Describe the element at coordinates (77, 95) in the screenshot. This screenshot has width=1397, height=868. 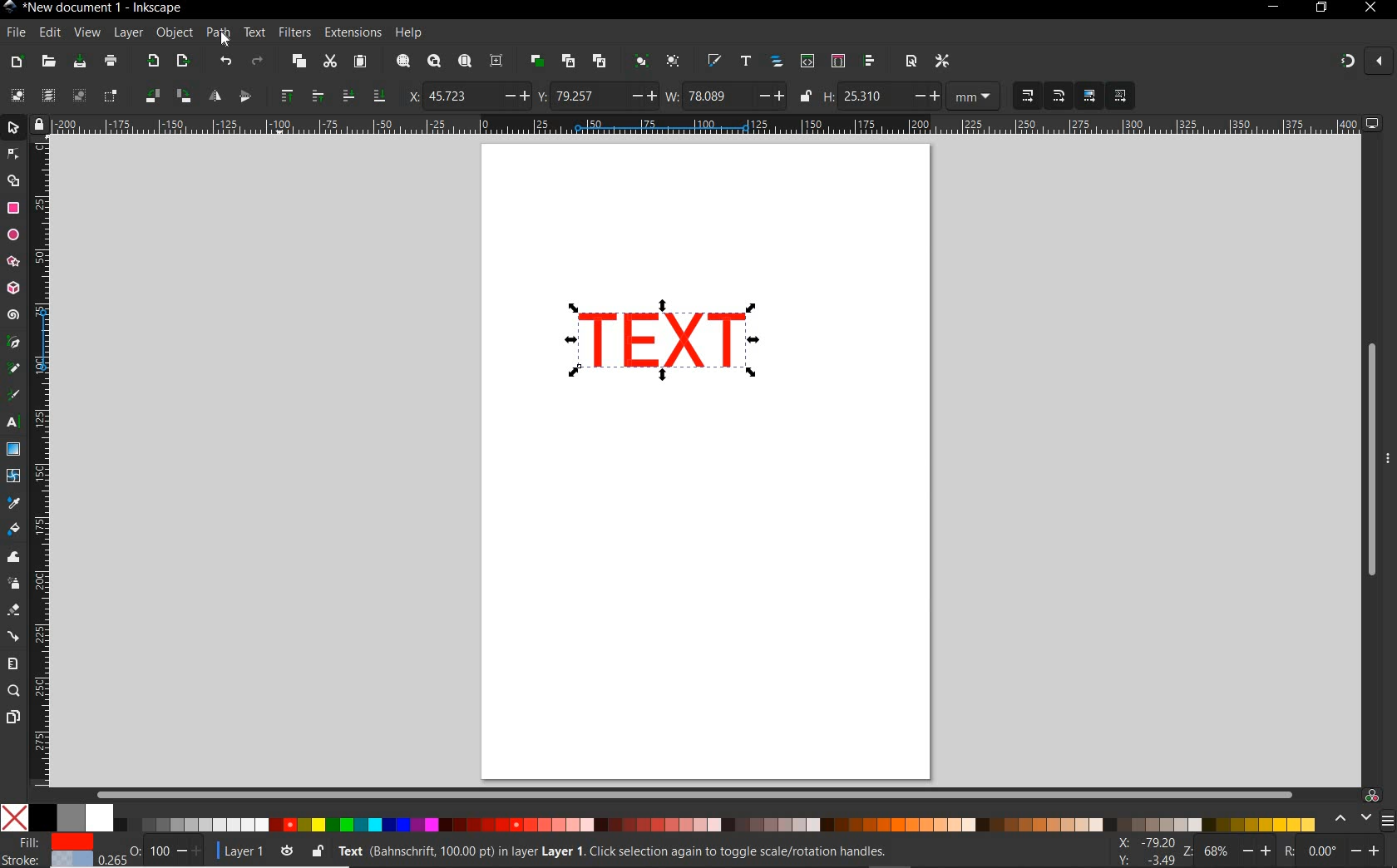
I see `DESELECT` at that location.